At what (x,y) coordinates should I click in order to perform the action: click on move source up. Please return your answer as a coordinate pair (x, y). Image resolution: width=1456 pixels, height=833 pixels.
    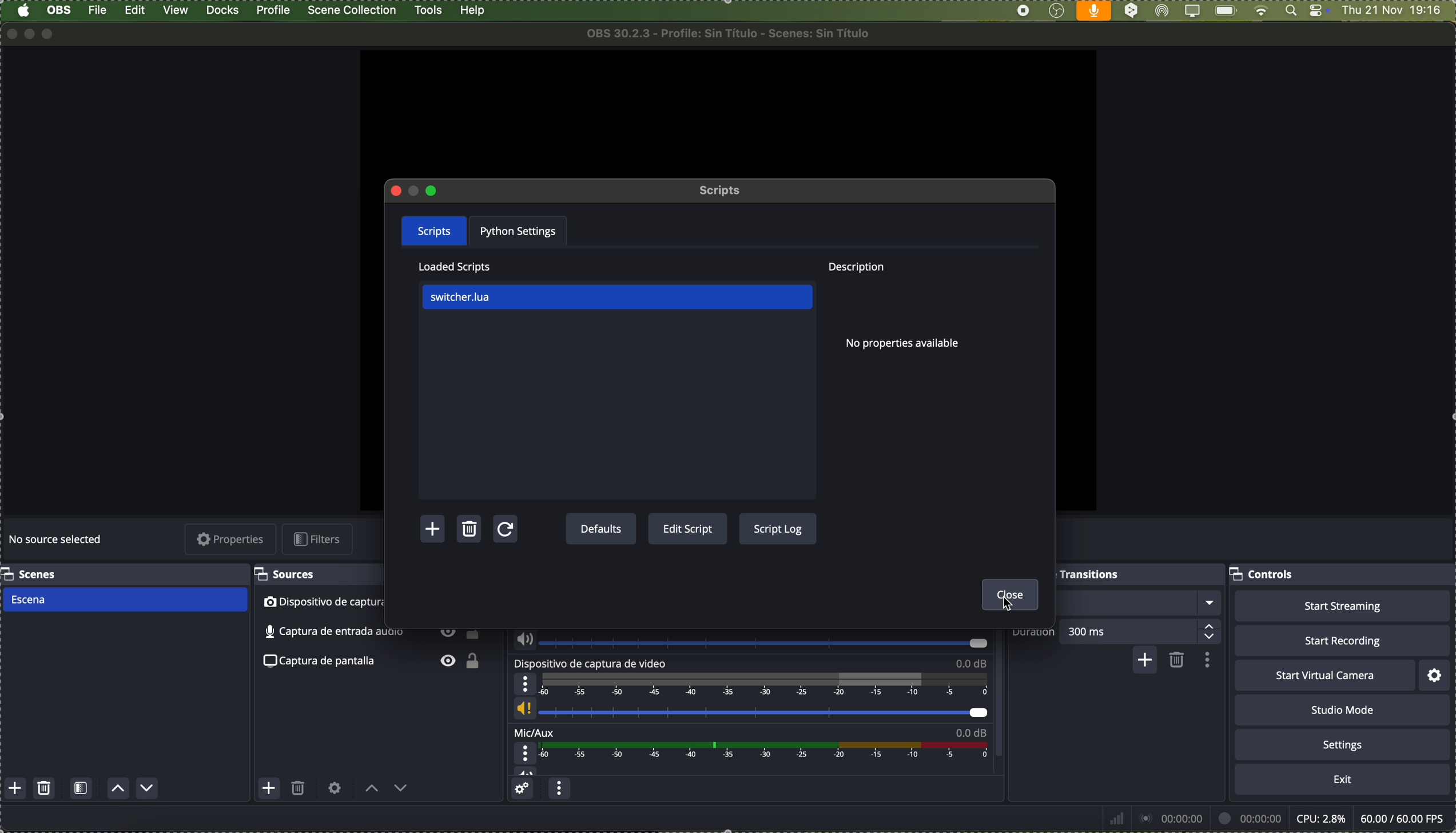
    Looking at the image, I should click on (372, 789).